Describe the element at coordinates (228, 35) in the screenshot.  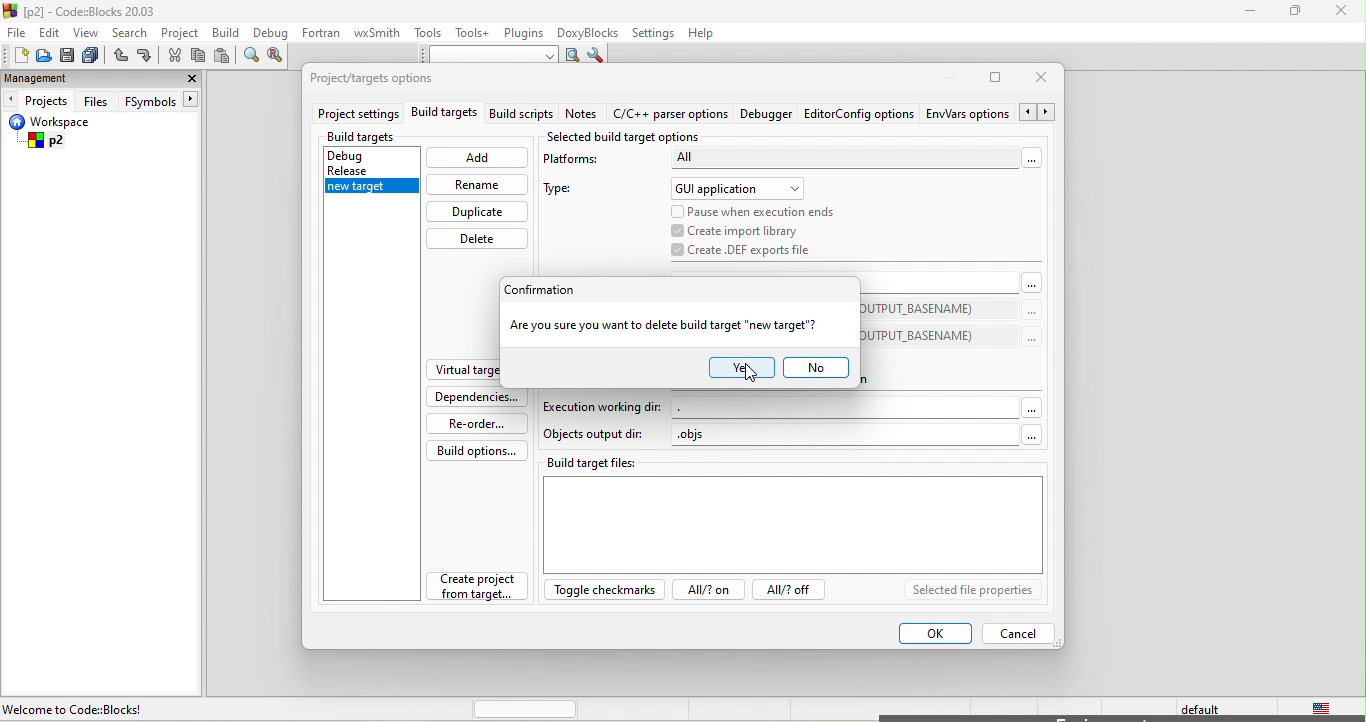
I see `build` at that location.